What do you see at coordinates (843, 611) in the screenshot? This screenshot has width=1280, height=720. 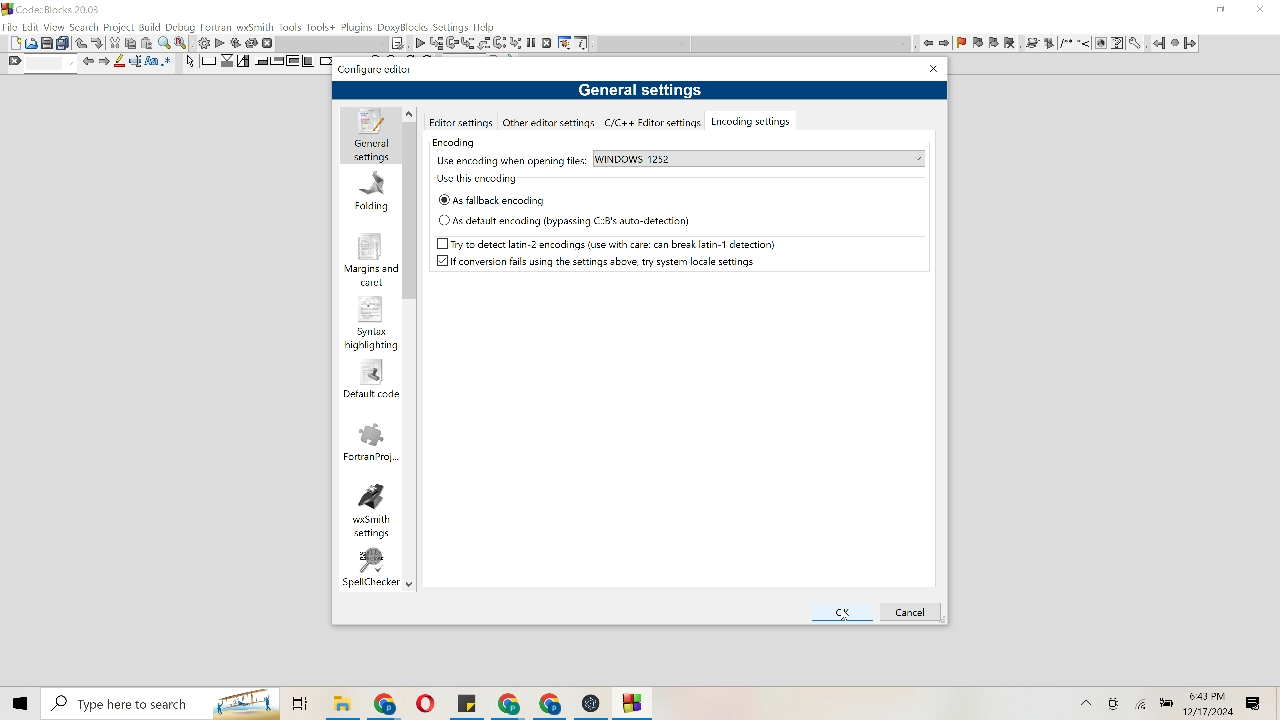 I see `Ok` at bounding box center [843, 611].